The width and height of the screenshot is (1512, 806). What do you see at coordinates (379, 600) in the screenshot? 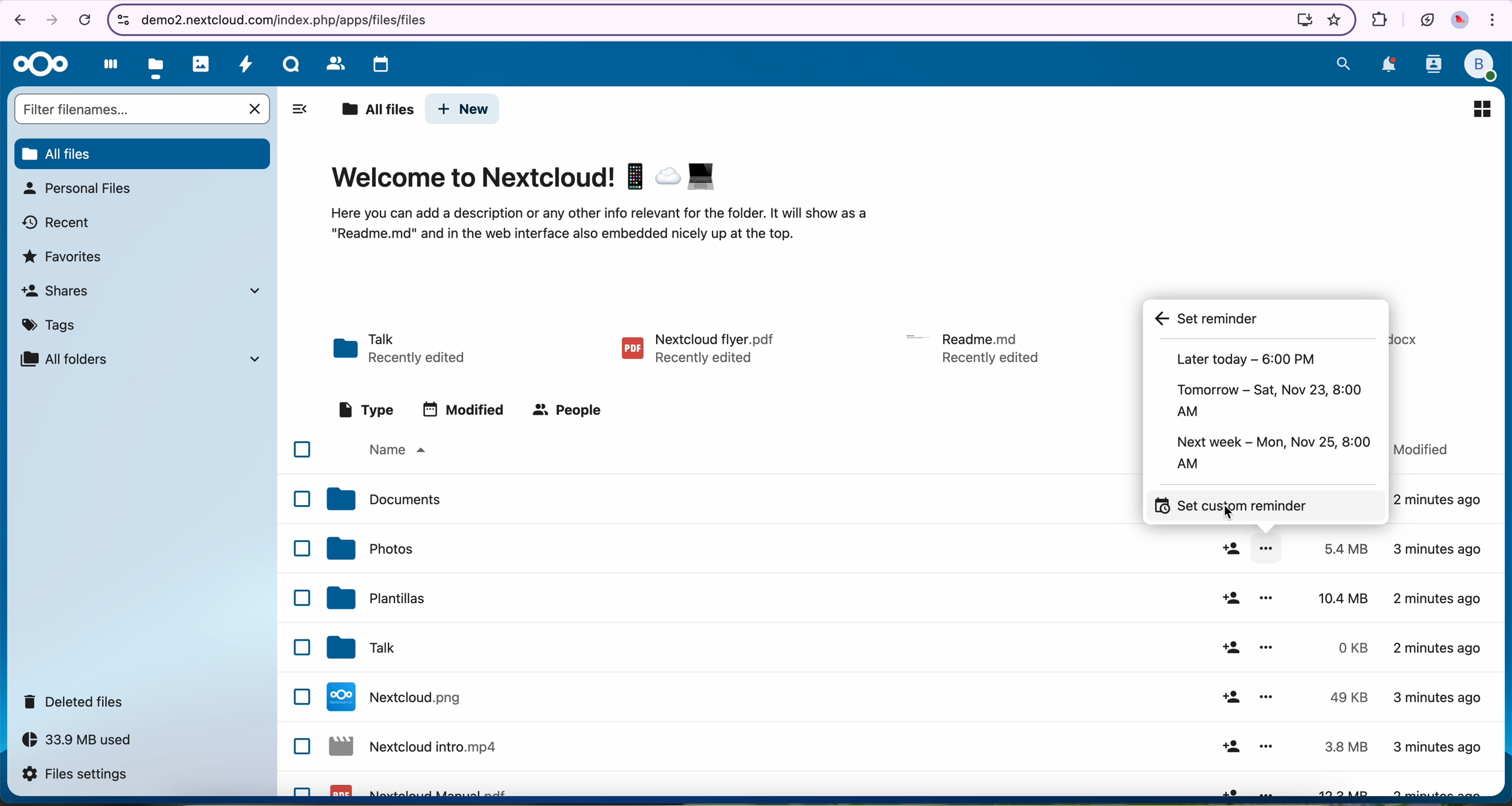
I see `templates` at bounding box center [379, 600].